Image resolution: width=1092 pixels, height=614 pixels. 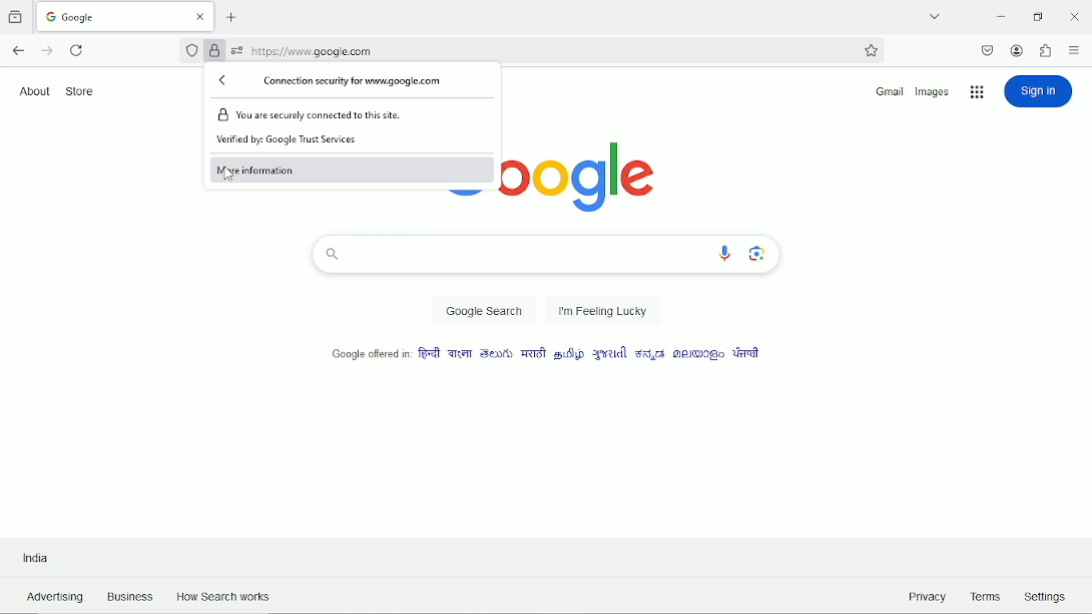 I want to click on Reload current page, so click(x=79, y=49).